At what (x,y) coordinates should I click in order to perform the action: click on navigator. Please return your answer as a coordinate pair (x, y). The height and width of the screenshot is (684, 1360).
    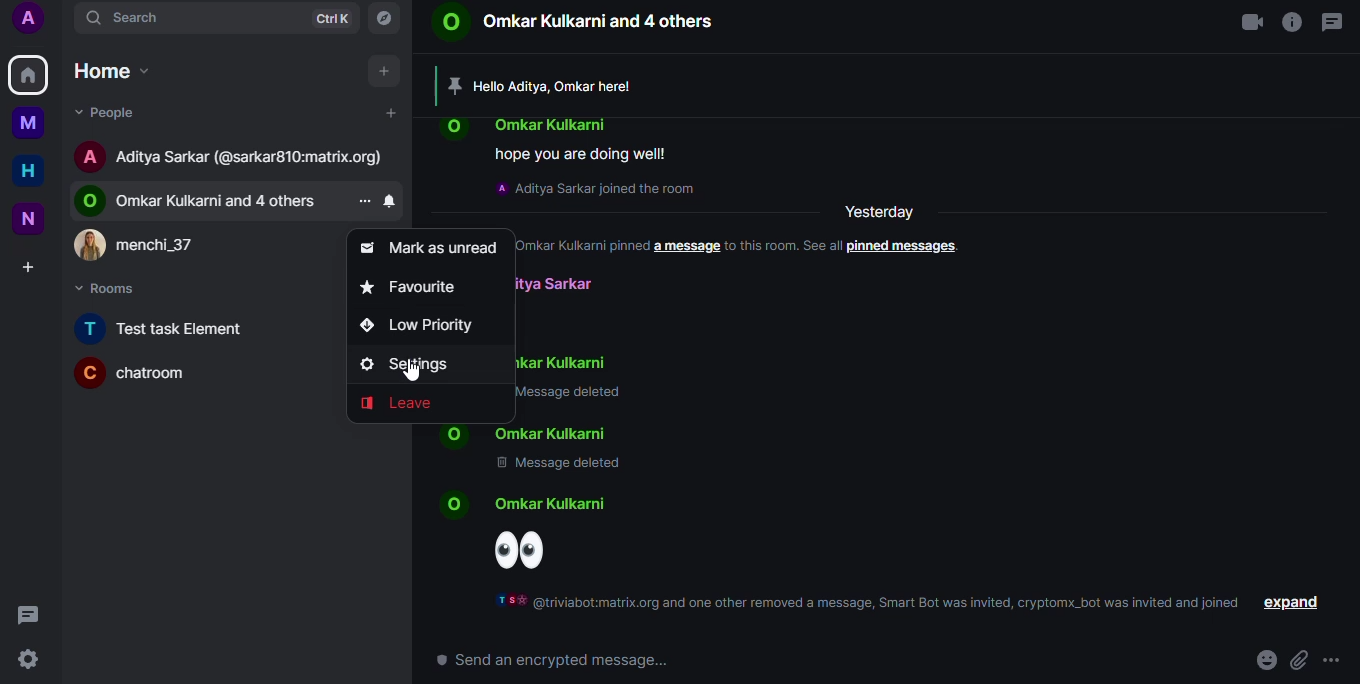
    Looking at the image, I should click on (388, 18).